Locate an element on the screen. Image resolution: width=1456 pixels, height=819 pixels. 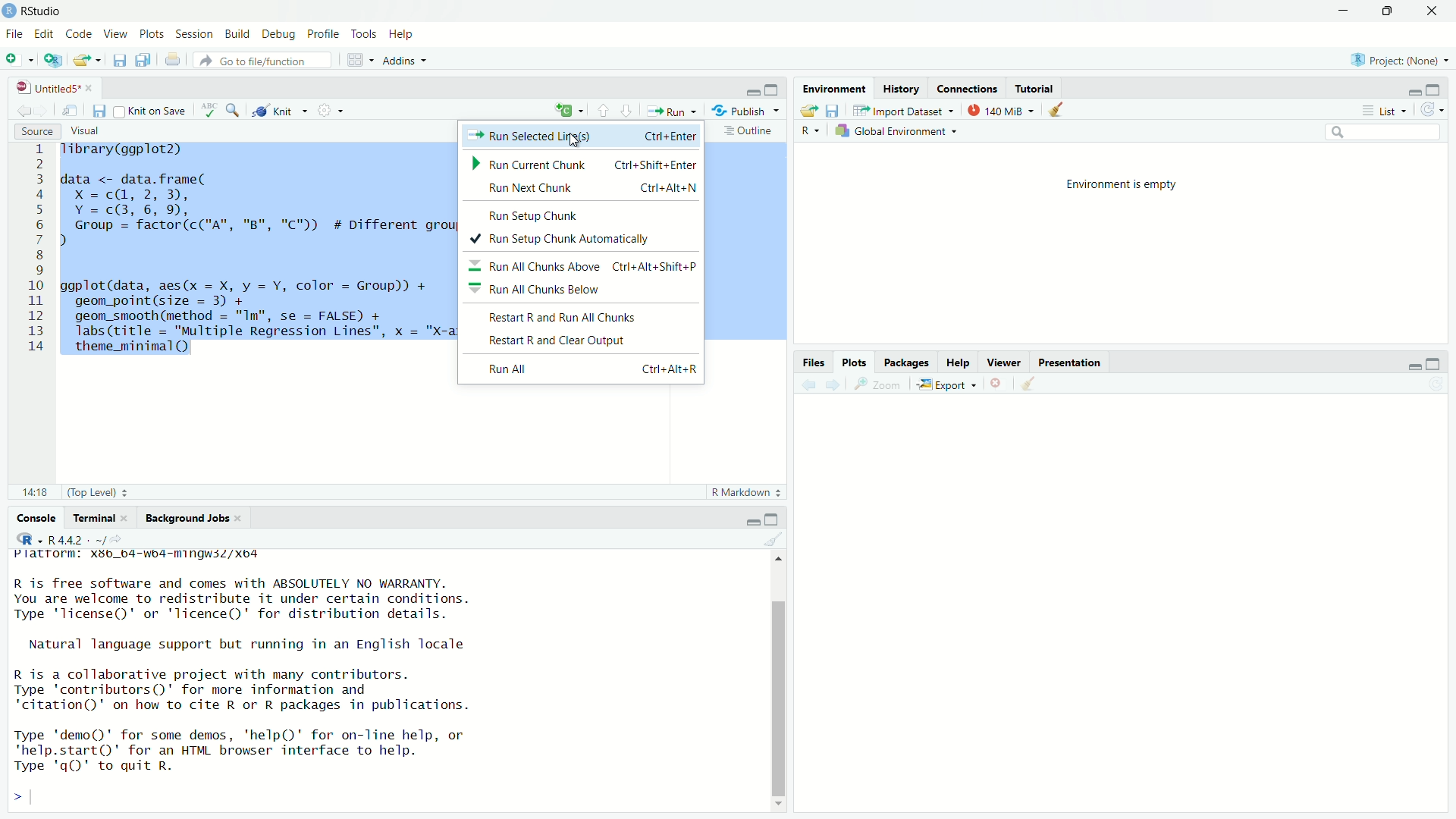
Addins is located at coordinates (408, 59).